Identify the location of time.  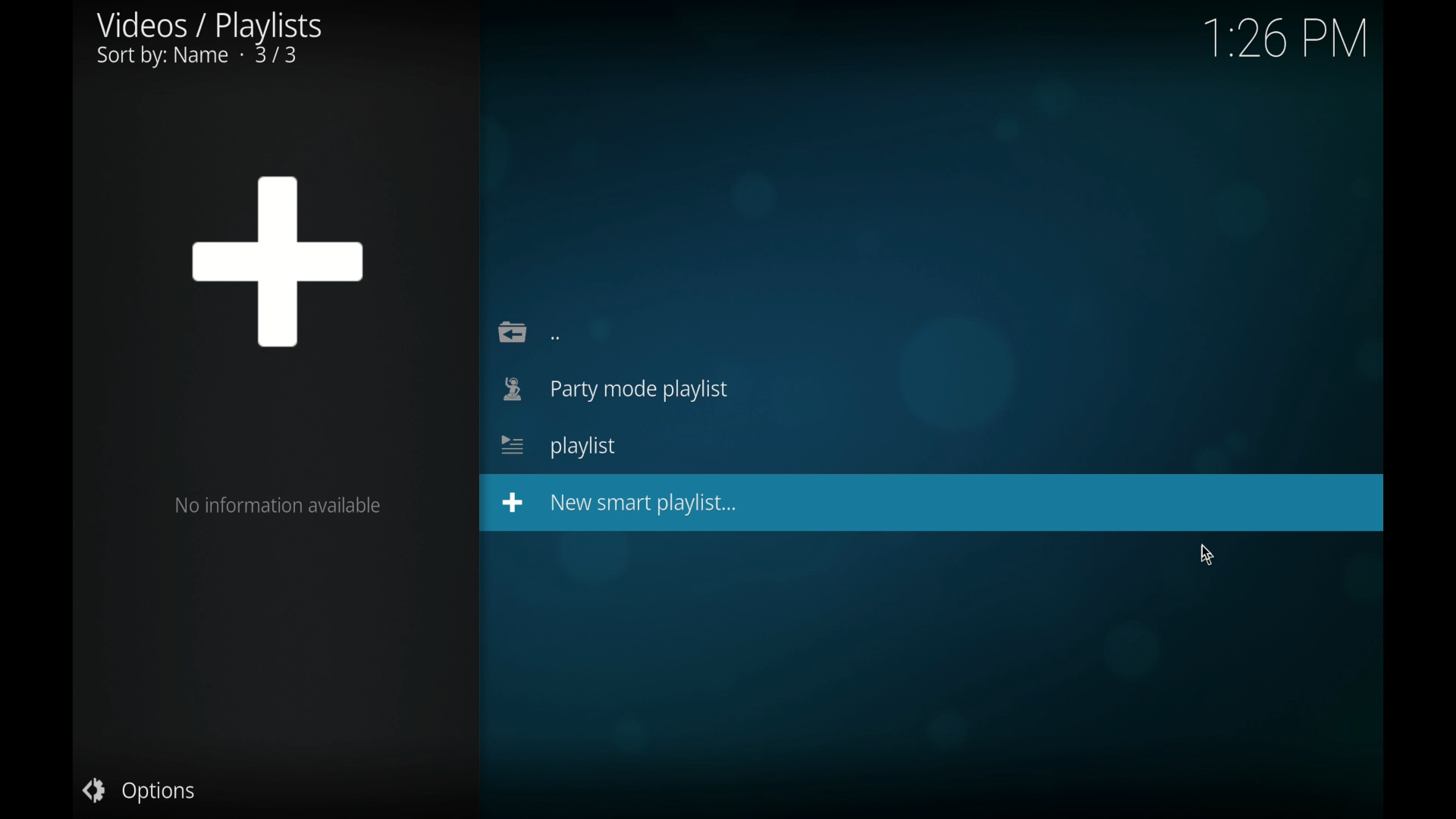
(1285, 39).